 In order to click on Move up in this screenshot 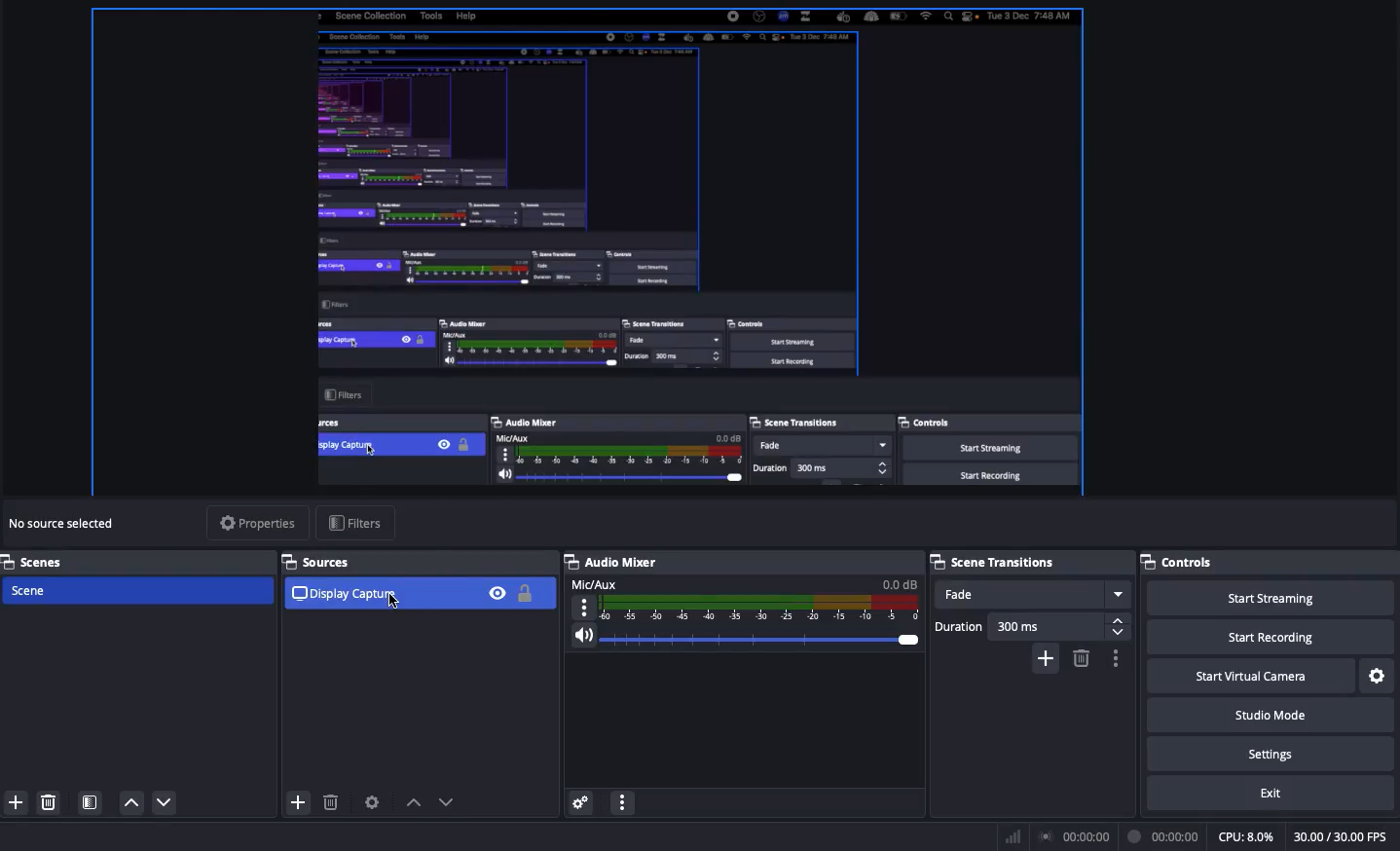, I will do `click(129, 805)`.